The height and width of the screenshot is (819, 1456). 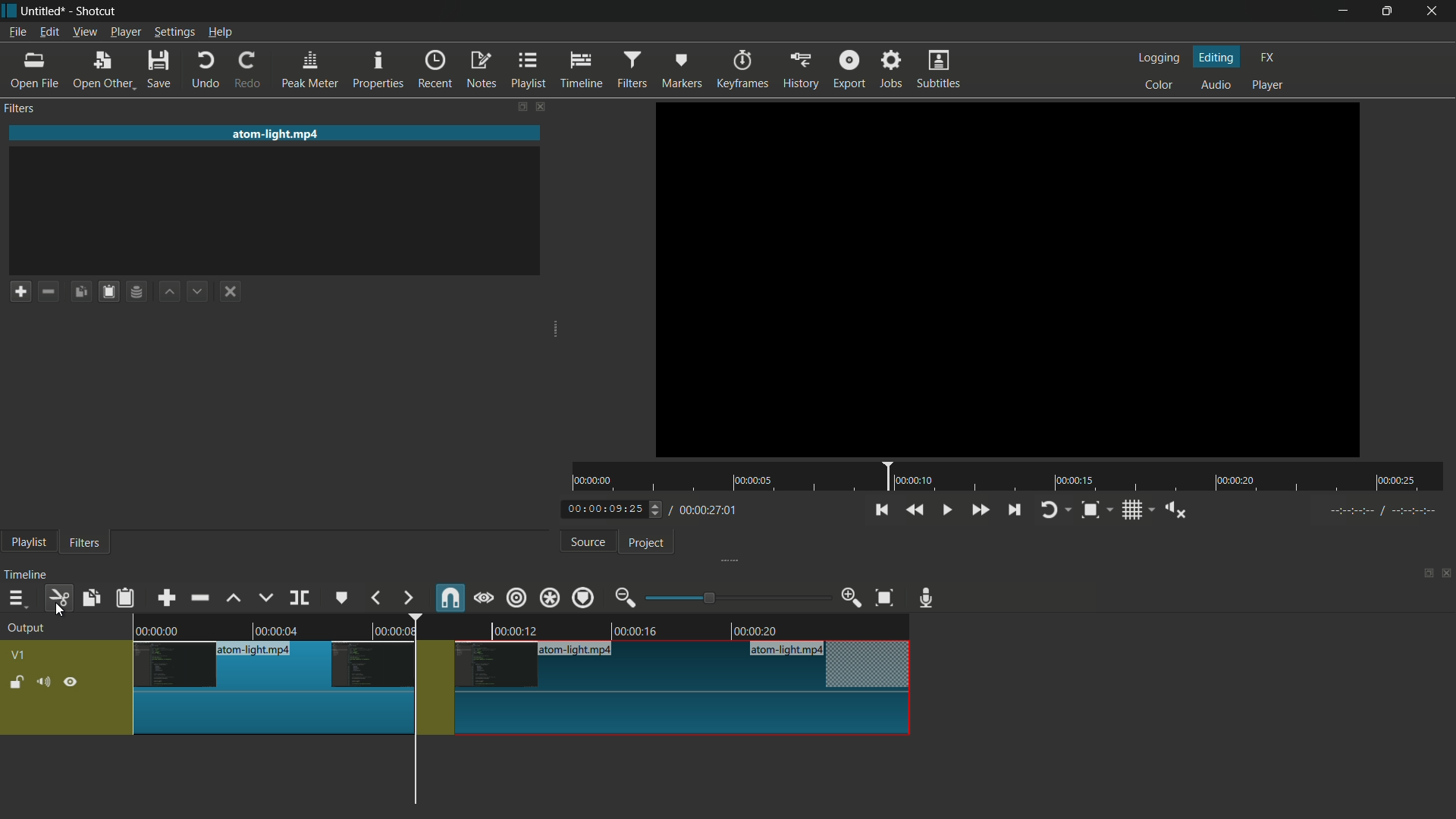 What do you see at coordinates (707, 510) in the screenshot?
I see `total time` at bounding box center [707, 510].